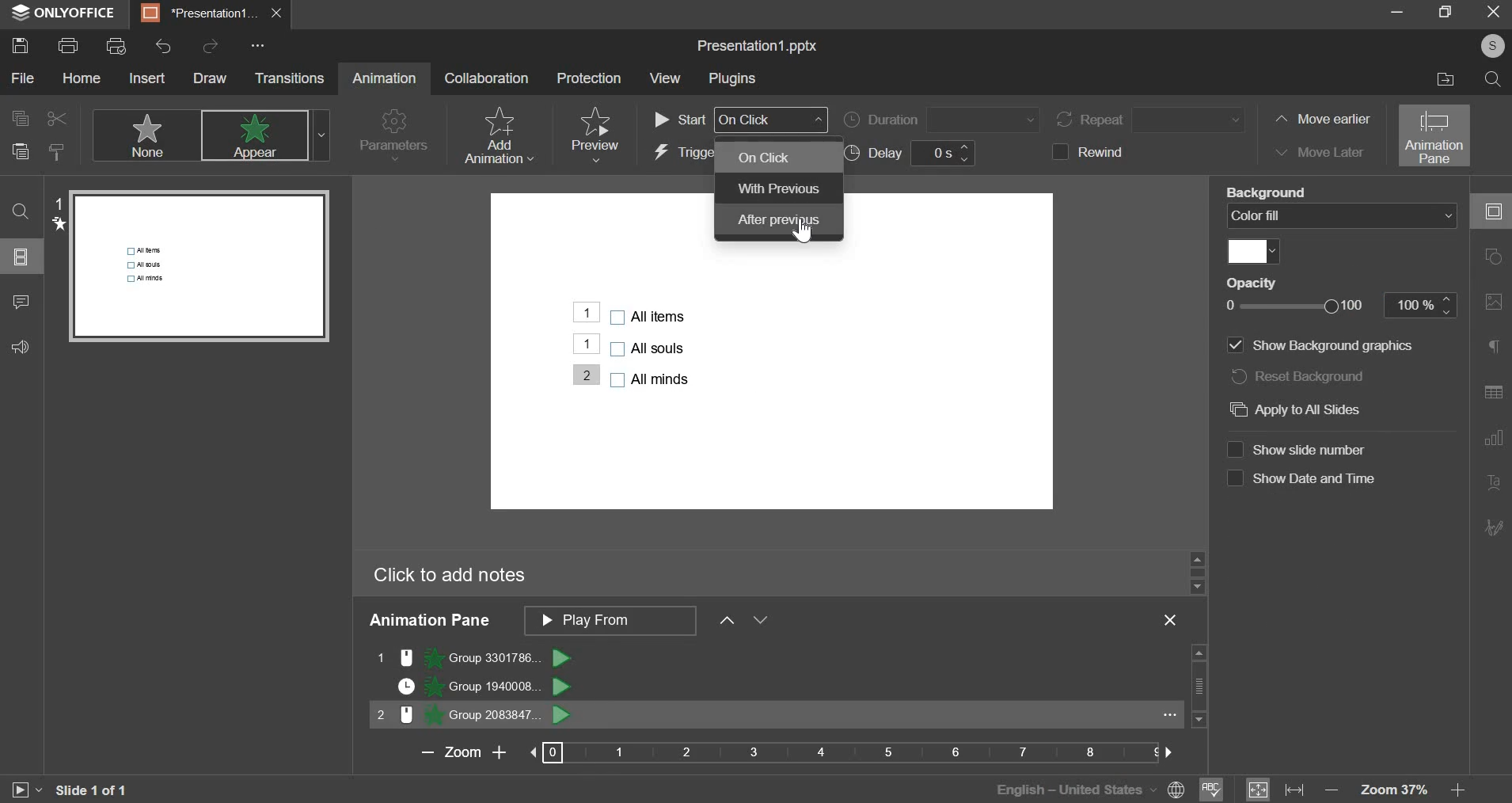 The image size is (1512, 803). What do you see at coordinates (394, 137) in the screenshot?
I see `parameters` at bounding box center [394, 137].